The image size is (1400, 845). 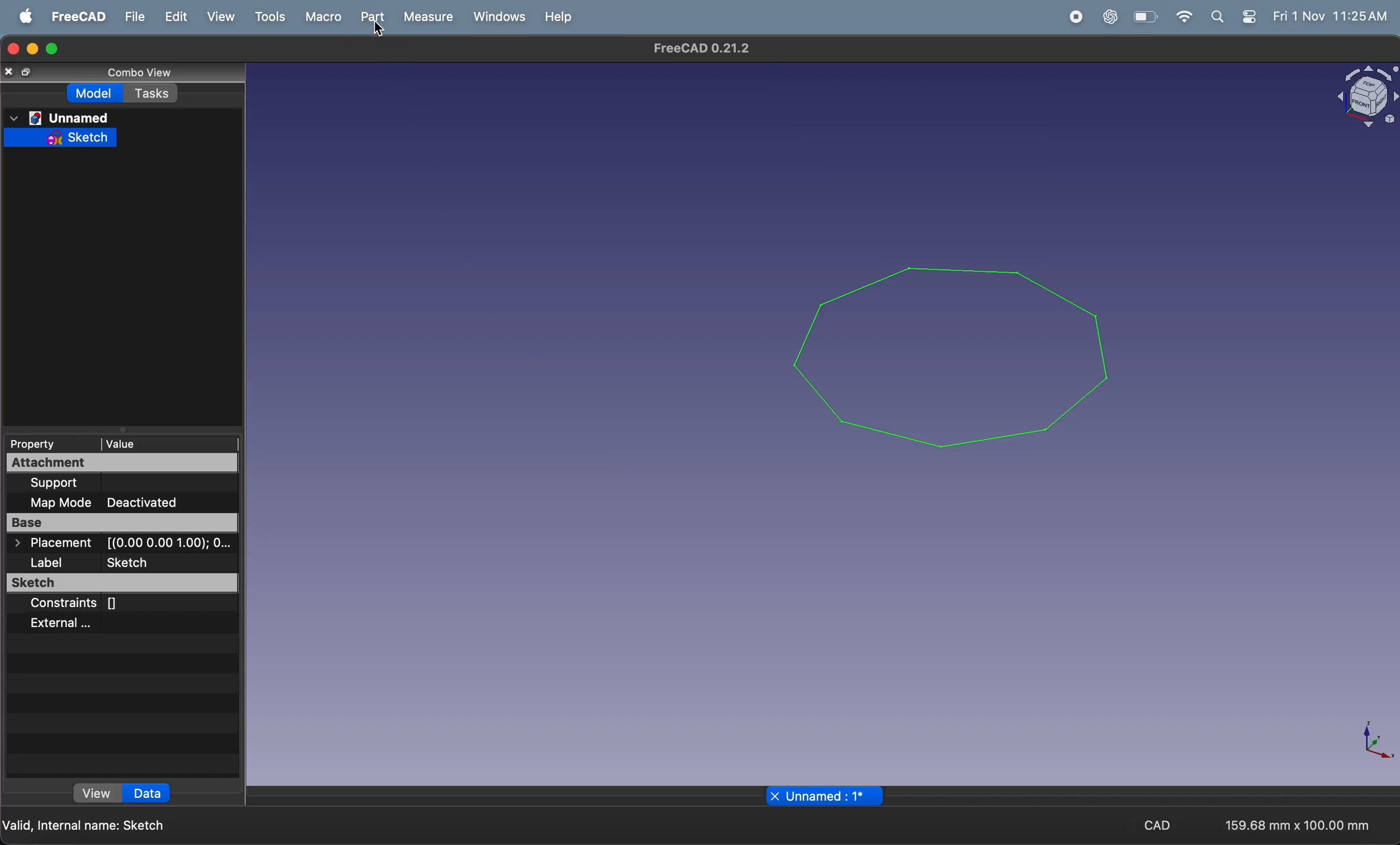 I want to click on part, so click(x=370, y=18).